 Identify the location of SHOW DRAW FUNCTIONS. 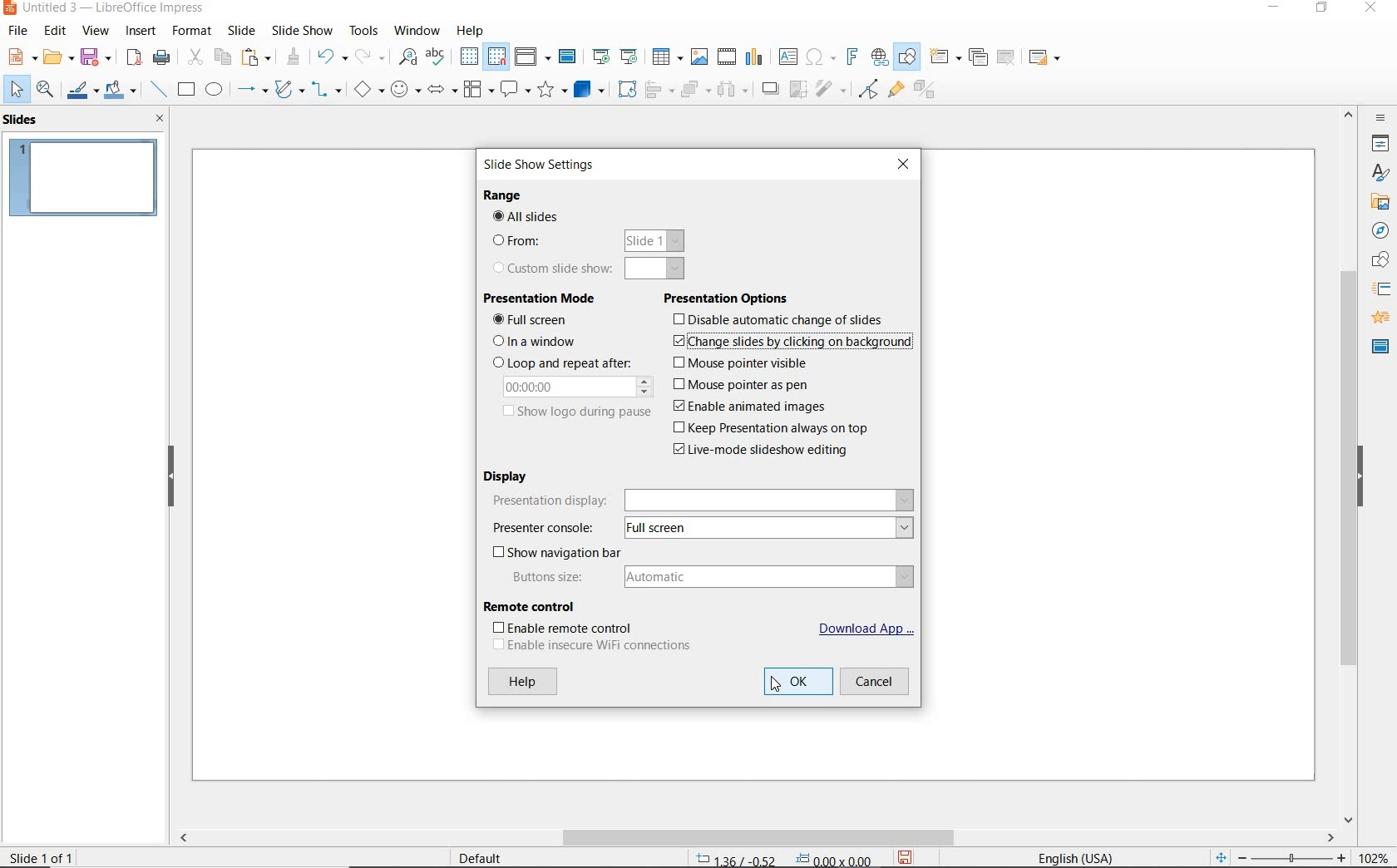
(908, 55).